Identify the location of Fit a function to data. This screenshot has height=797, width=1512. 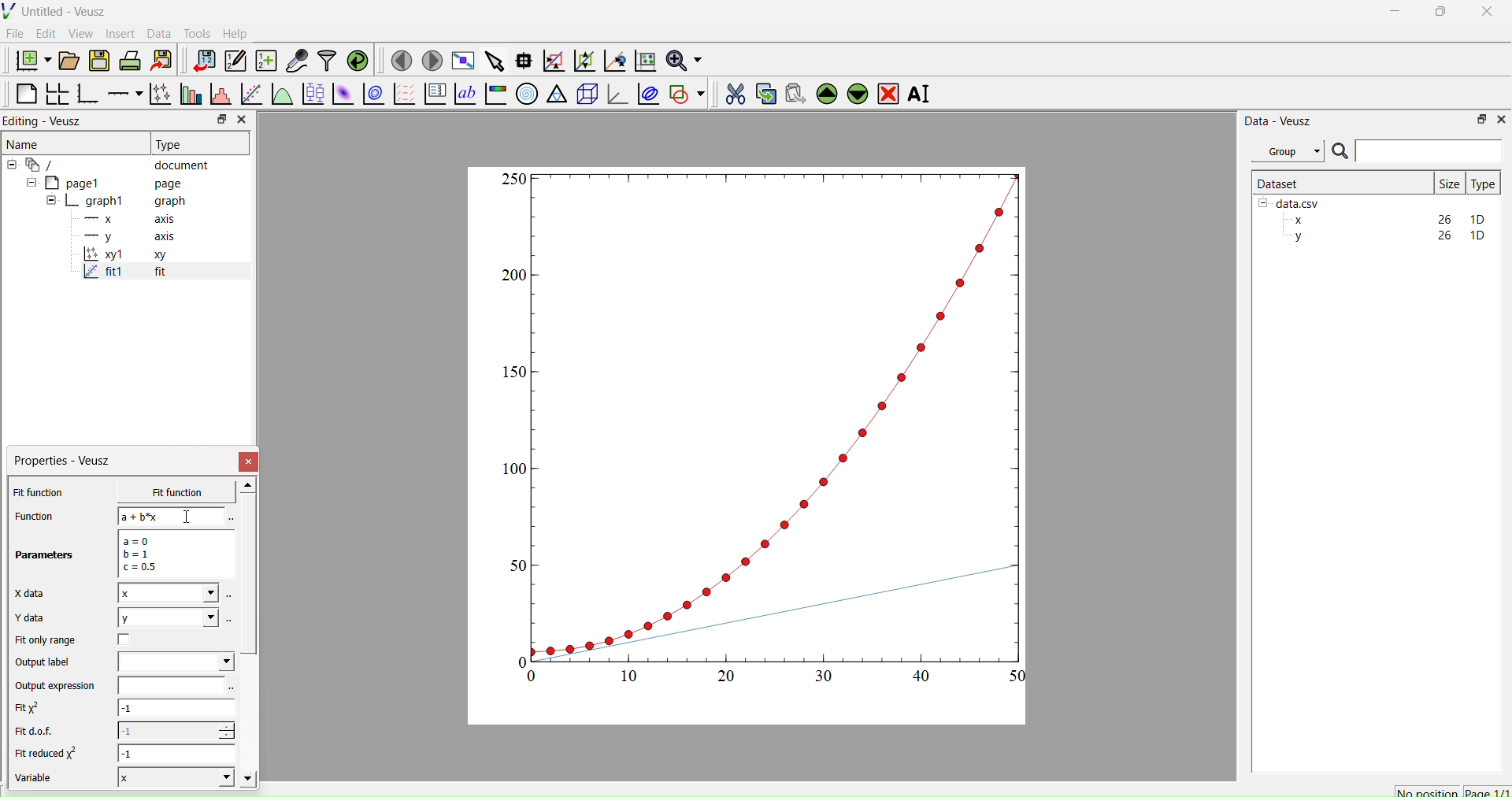
(250, 95).